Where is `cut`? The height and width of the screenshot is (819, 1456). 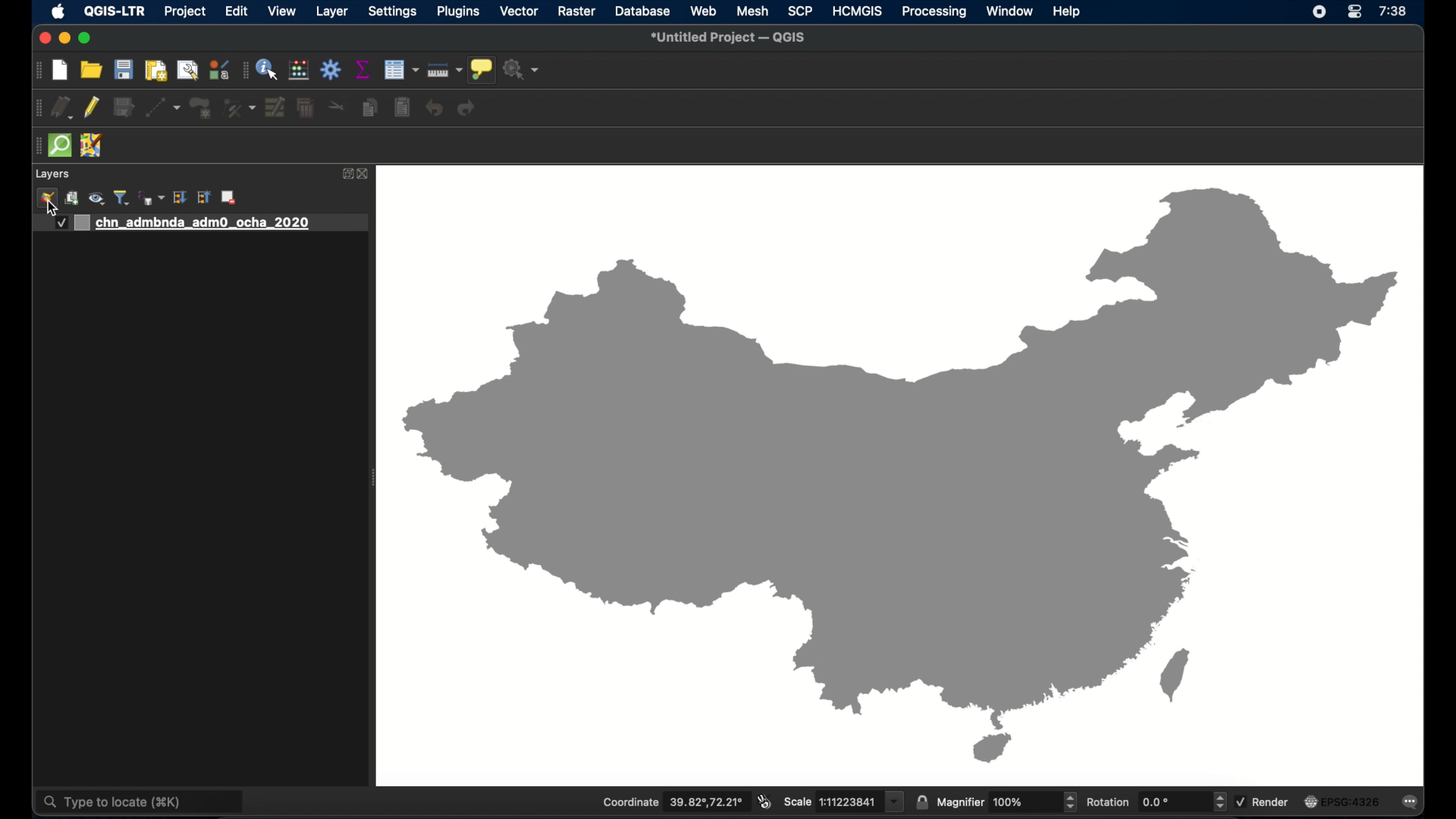
cut is located at coordinates (339, 105).